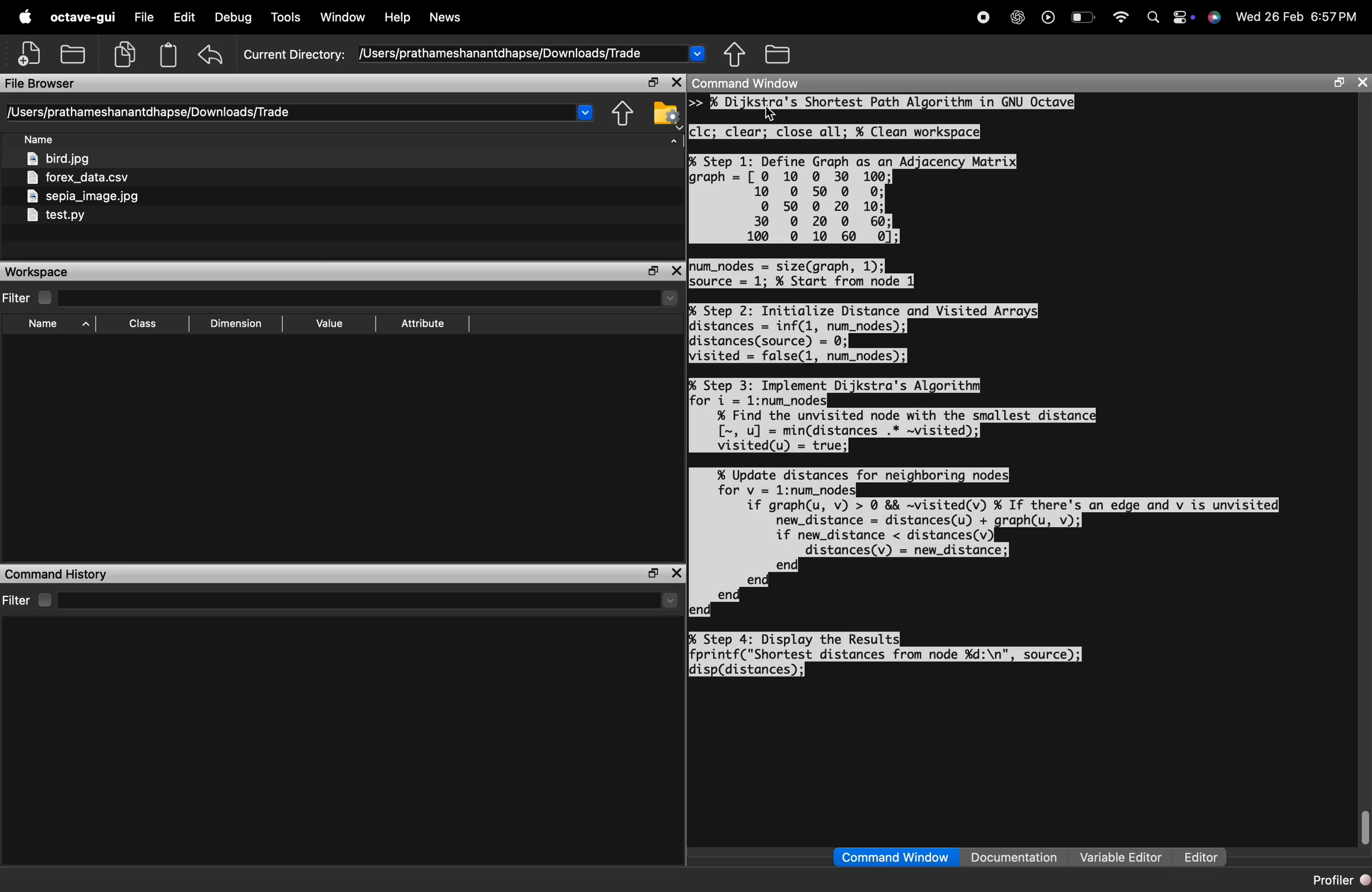  Describe the element at coordinates (447, 18) in the screenshot. I see `news` at that location.